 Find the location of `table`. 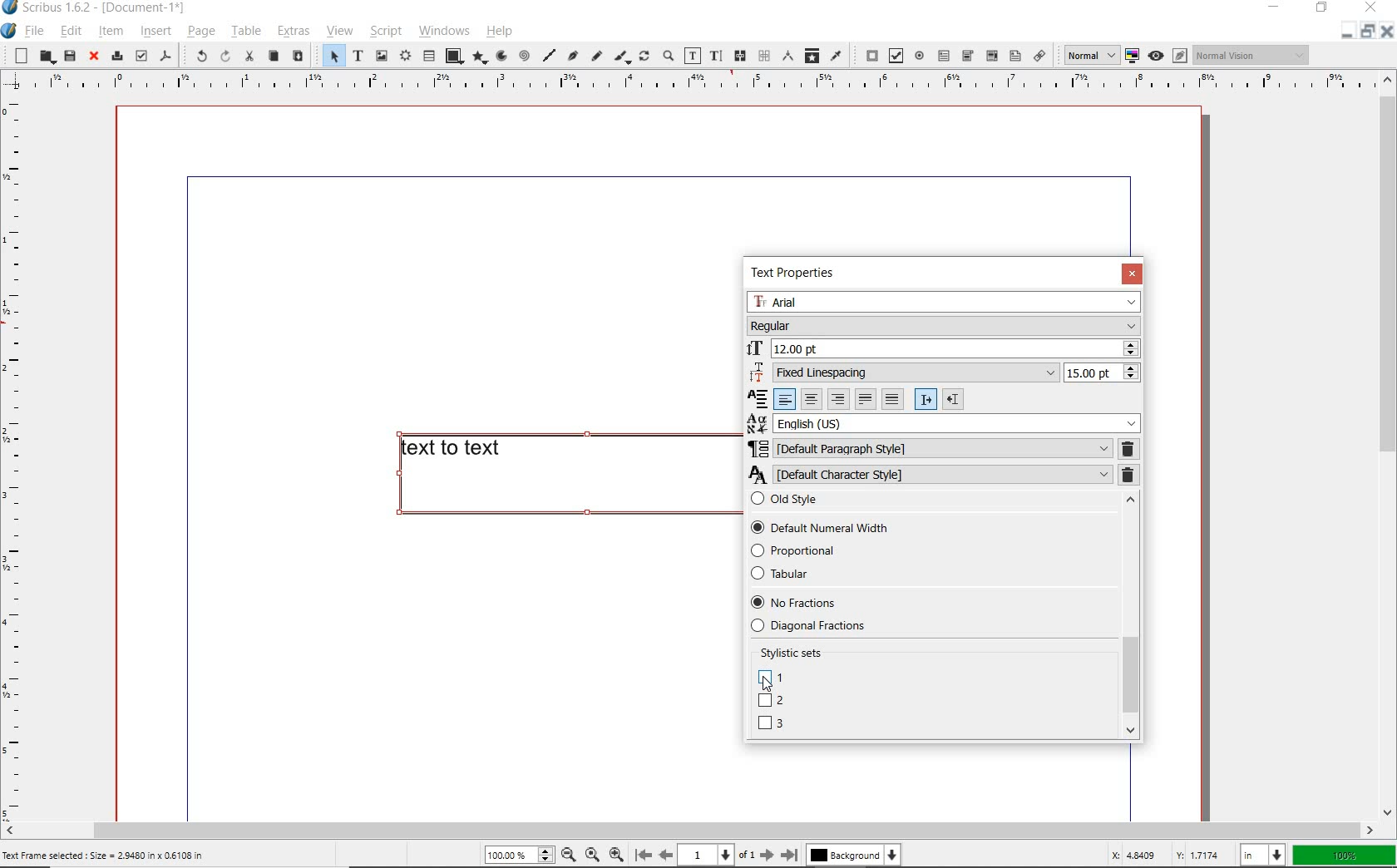

table is located at coordinates (245, 32).